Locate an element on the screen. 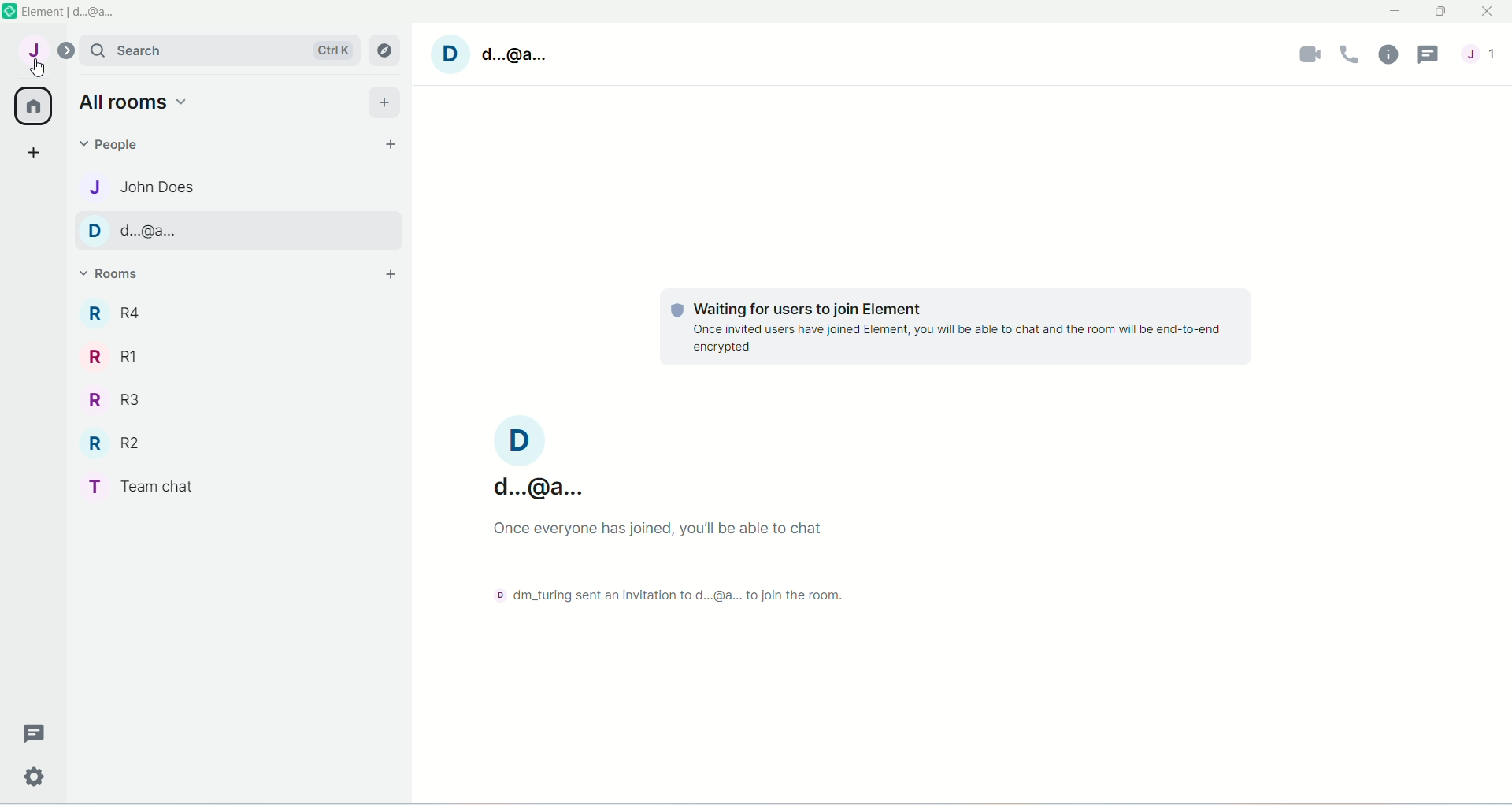 The image size is (1512, 805). home is located at coordinates (30, 106).